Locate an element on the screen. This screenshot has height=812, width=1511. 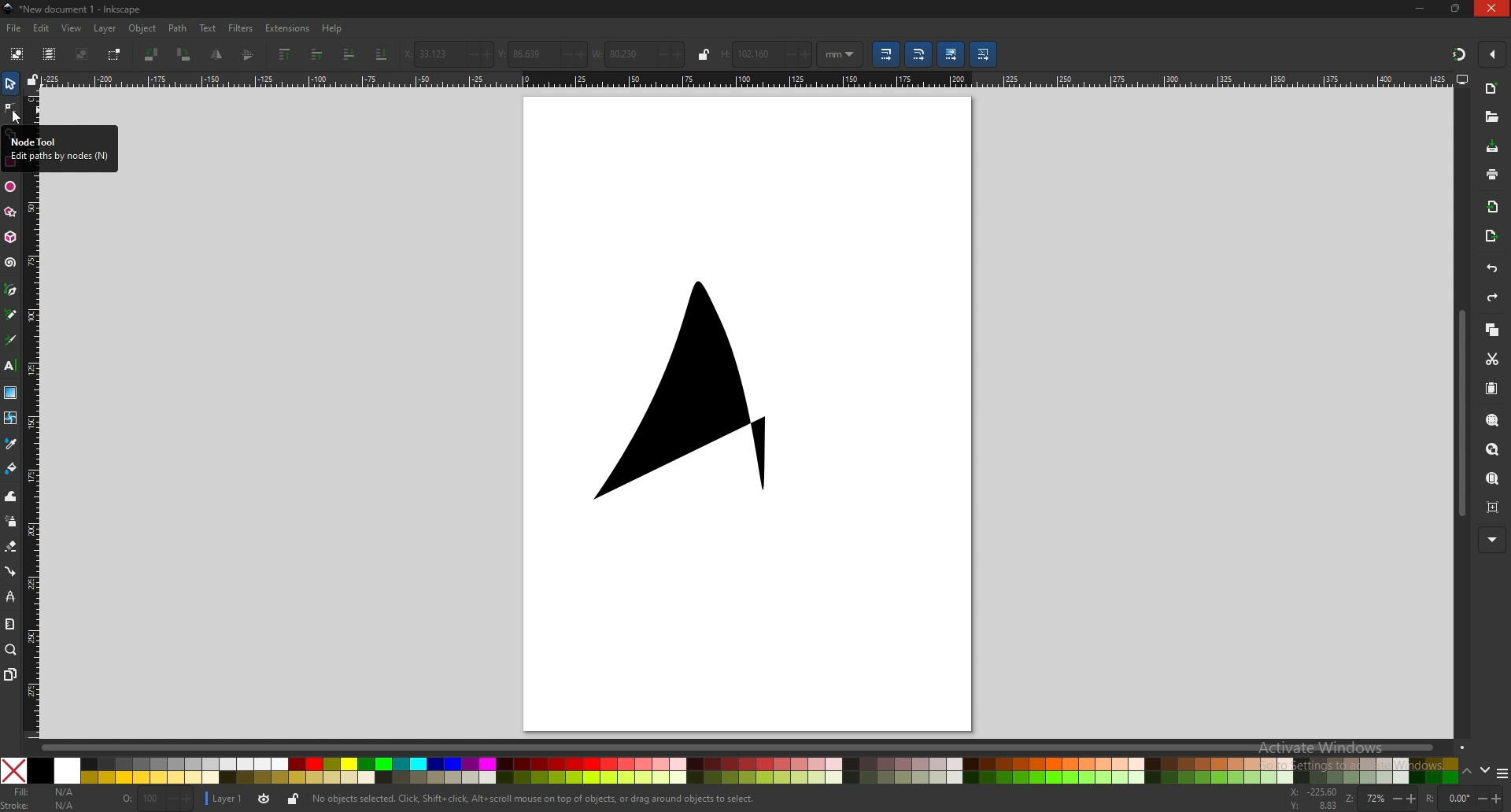
minimize is located at coordinates (1420, 9).